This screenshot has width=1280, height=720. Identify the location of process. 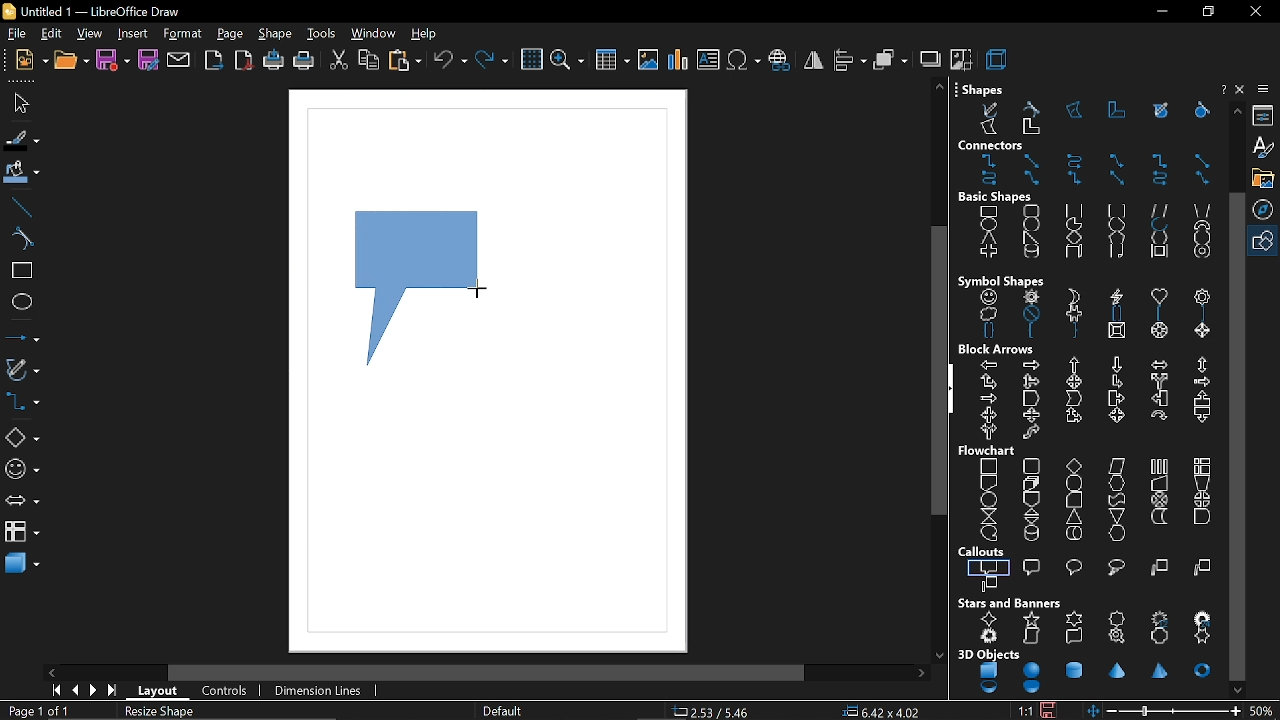
(990, 465).